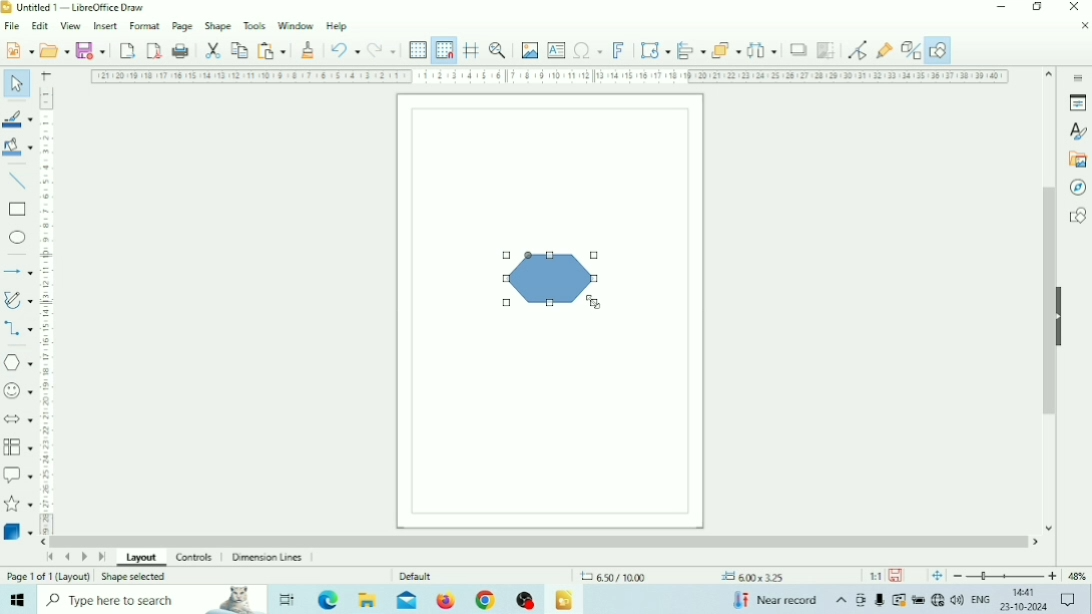 The image size is (1092, 614). I want to click on Symbol Shapes, so click(18, 391).